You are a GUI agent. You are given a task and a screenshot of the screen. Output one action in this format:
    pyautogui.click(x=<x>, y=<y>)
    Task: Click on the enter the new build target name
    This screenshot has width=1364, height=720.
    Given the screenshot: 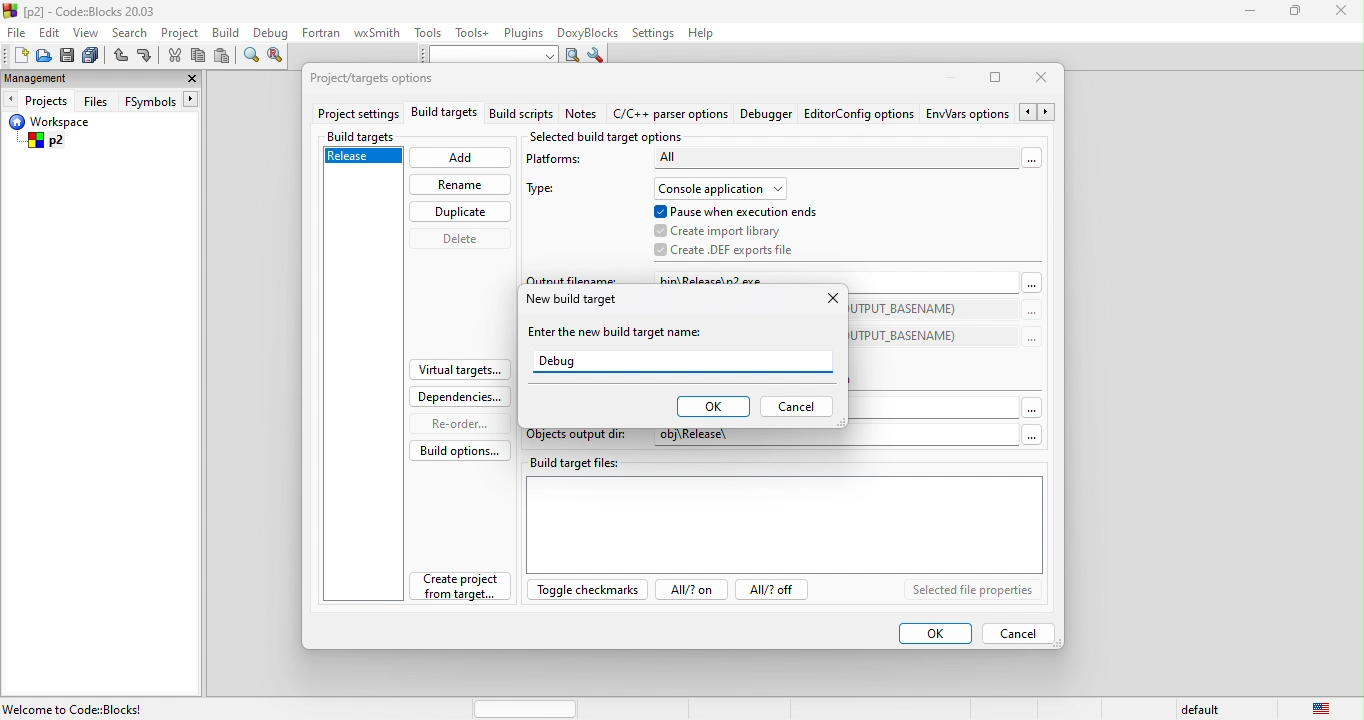 What is the action you would take?
    pyautogui.click(x=681, y=333)
    